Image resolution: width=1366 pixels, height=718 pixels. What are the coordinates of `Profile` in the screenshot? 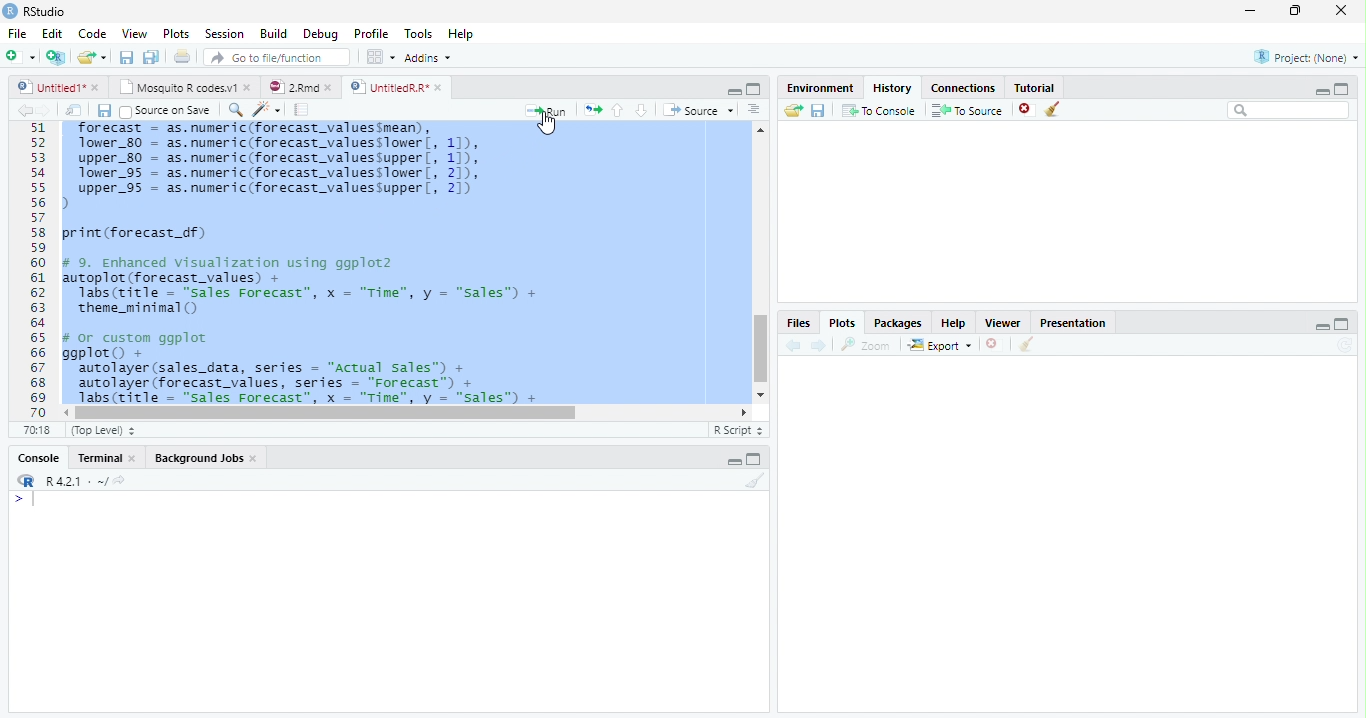 It's located at (372, 35).